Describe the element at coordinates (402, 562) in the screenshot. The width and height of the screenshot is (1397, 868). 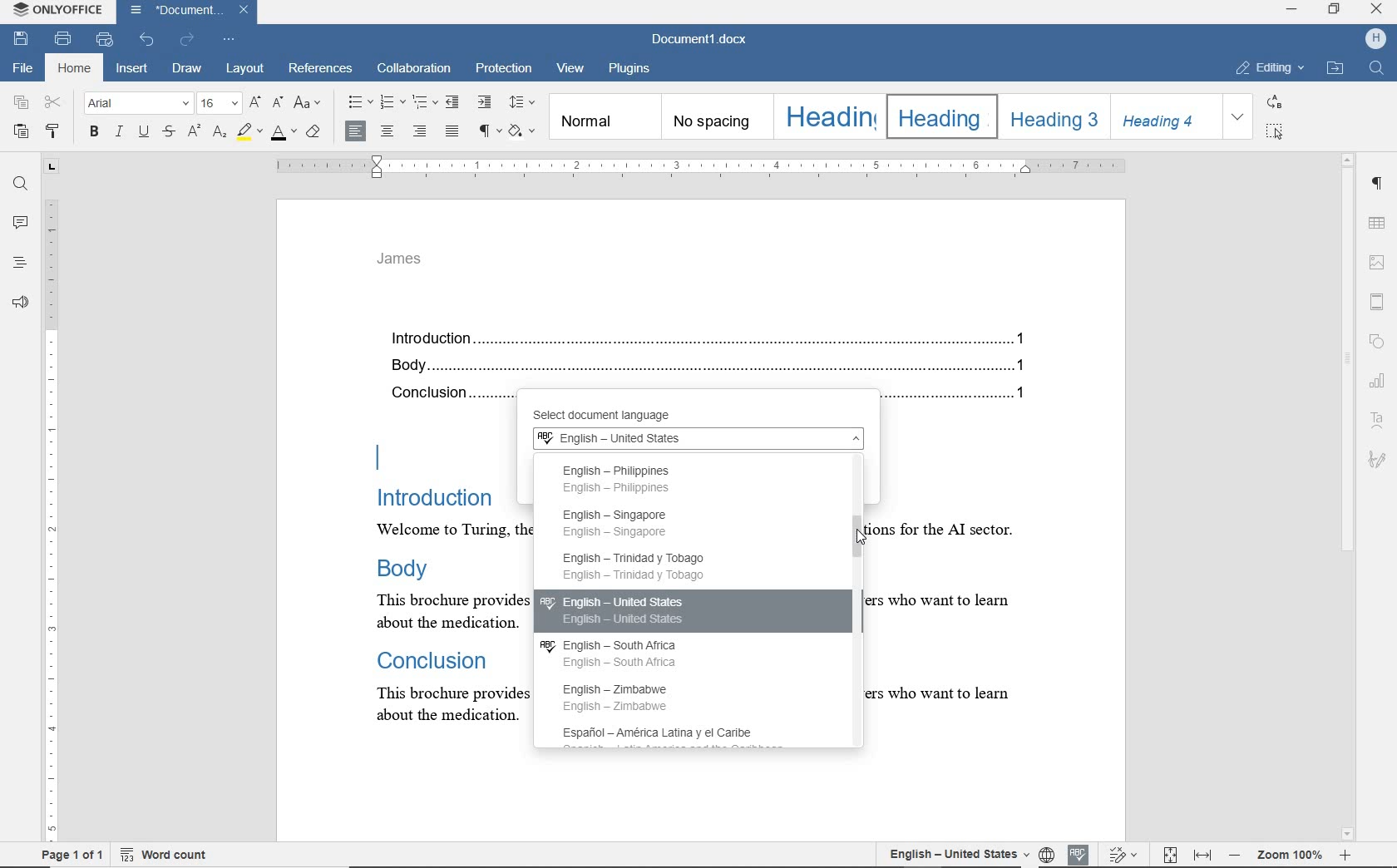
I see `text` at that location.